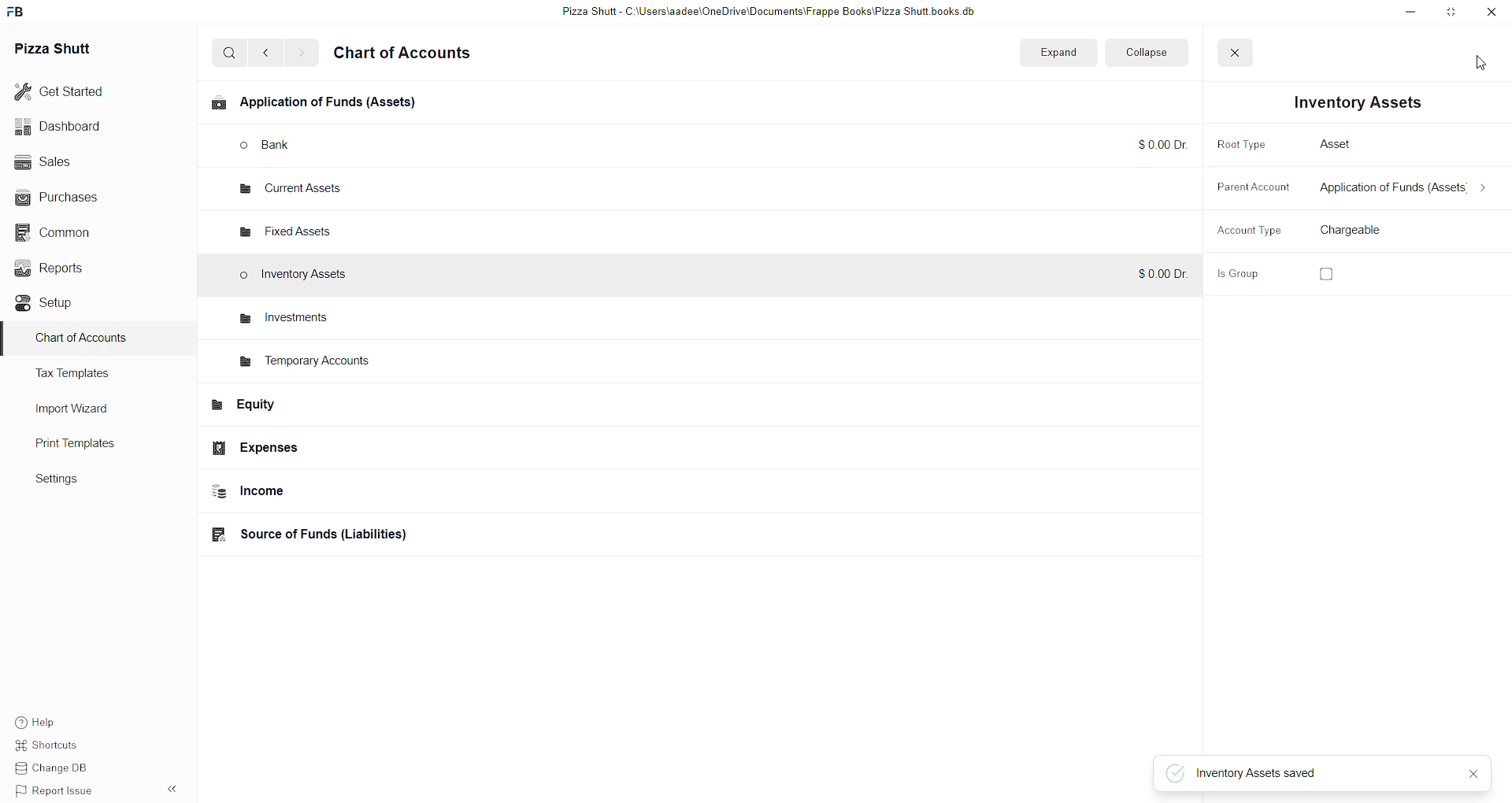 This screenshot has width=1512, height=803. I want to click on Parent Account, so click(1242, 189).